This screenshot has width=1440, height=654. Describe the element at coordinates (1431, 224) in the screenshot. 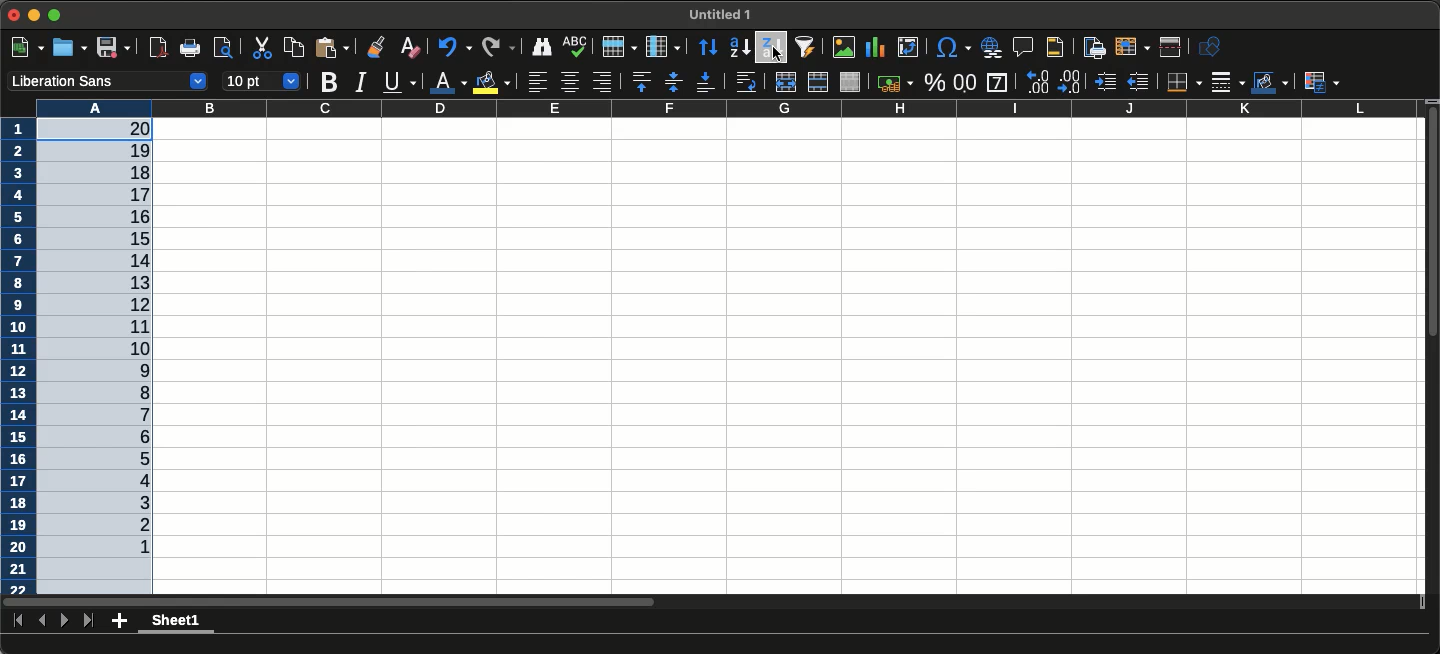

I see `Scroll` at that location.